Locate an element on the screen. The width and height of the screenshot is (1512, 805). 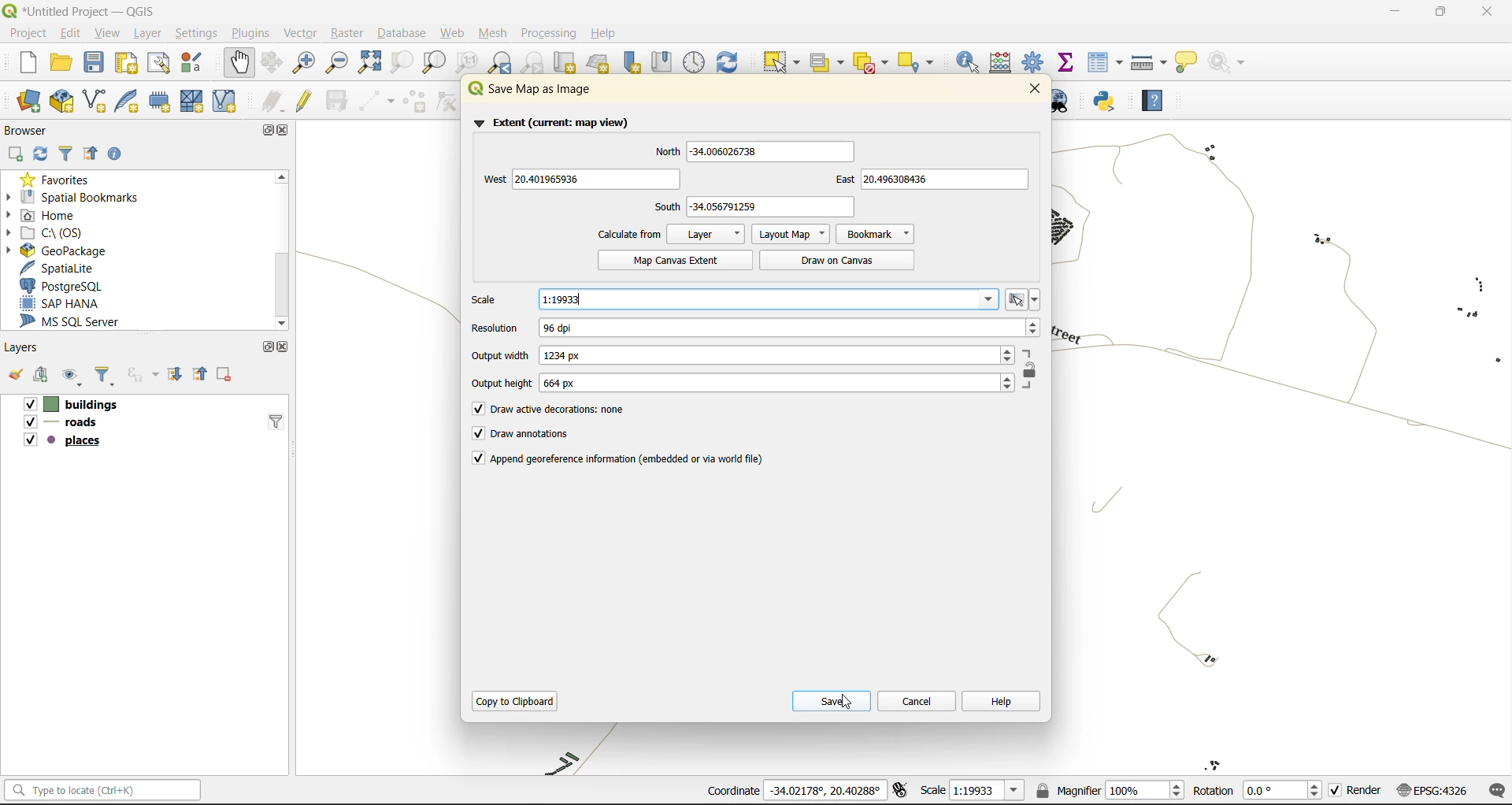
rotation is located at coordinates (1258, 789).